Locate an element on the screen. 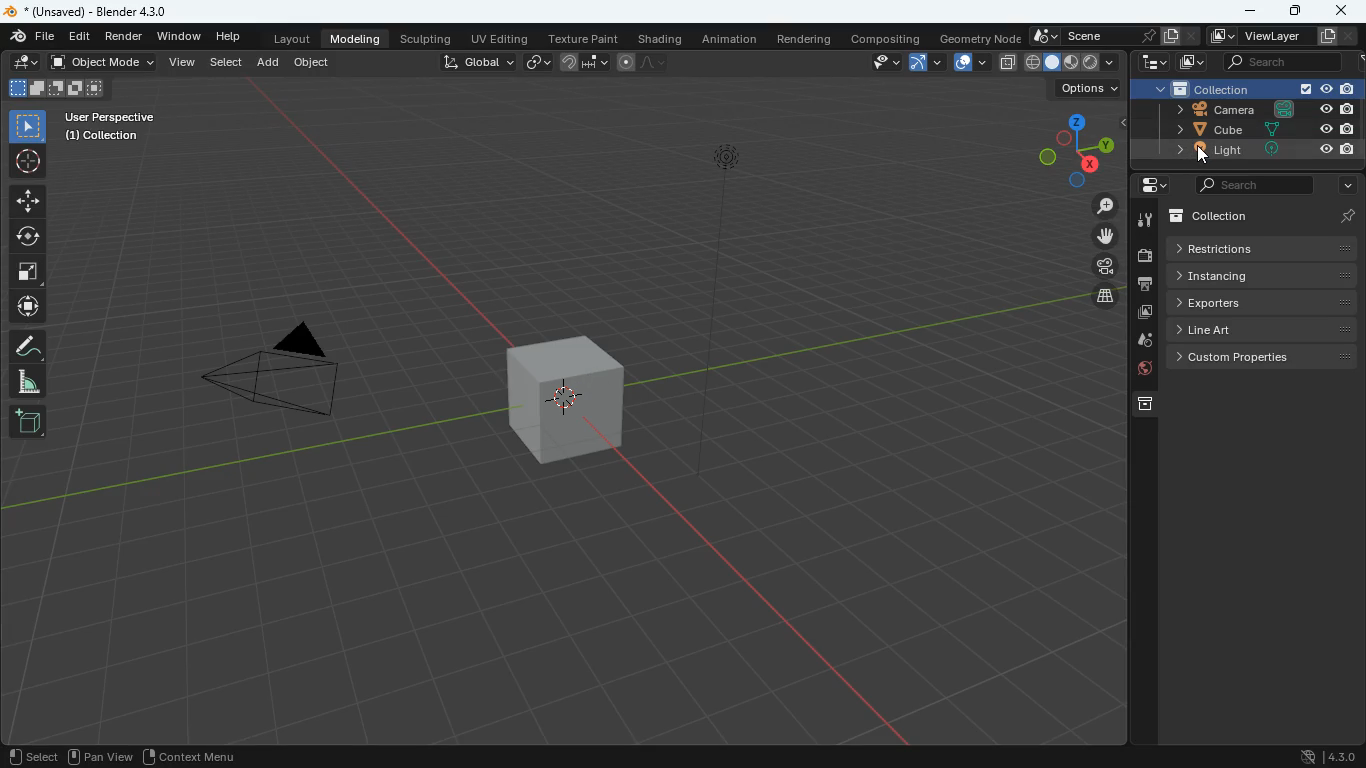  cube is located at coordinates (568, 404).